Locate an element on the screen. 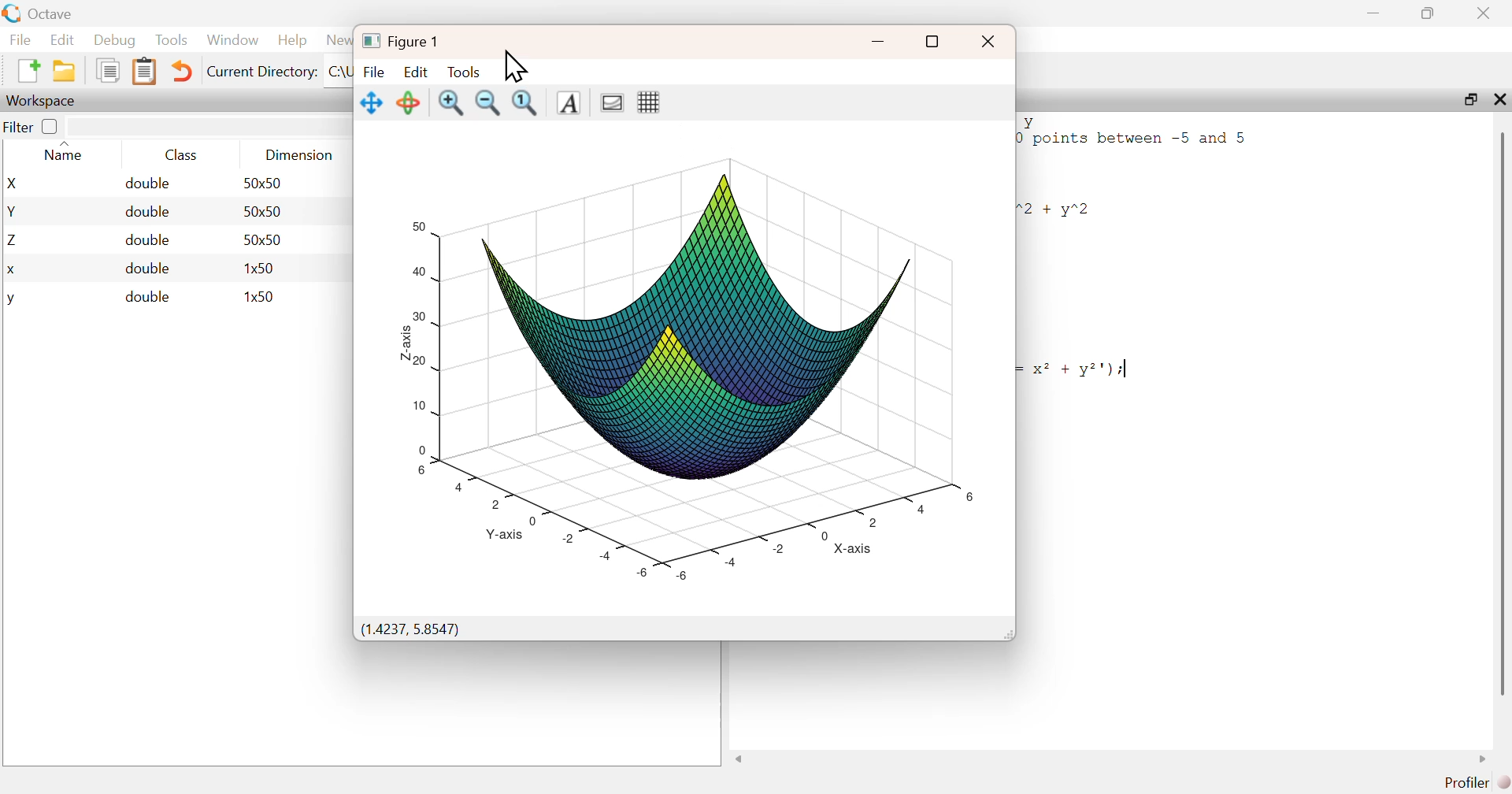 The width and height of the screenshot is (1512, 794). Zoom out is located at coordinates (487, 104).